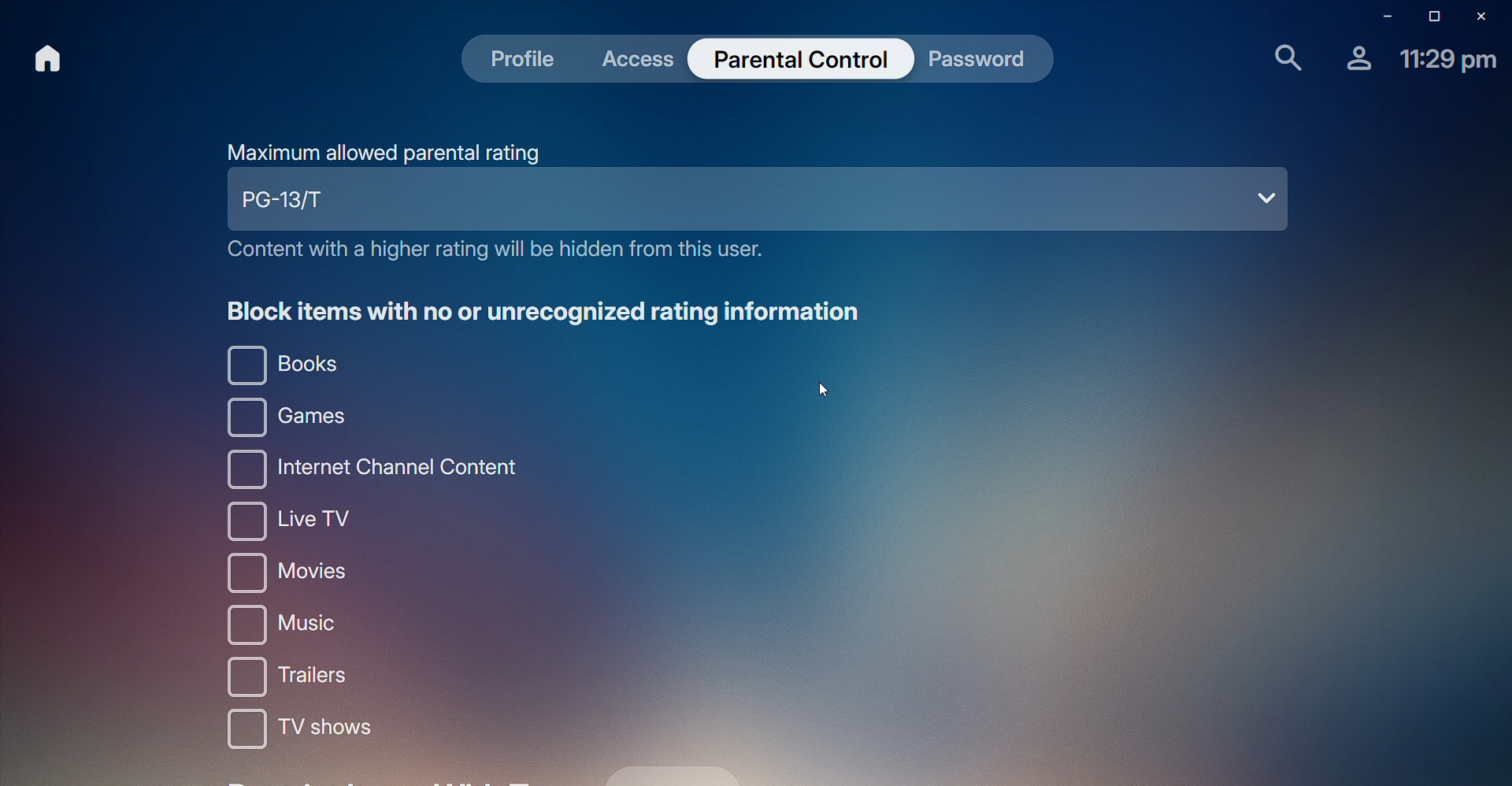  Describe the element at coordinates (298, 678) in the screenshot. I see `Trailers` at that location.